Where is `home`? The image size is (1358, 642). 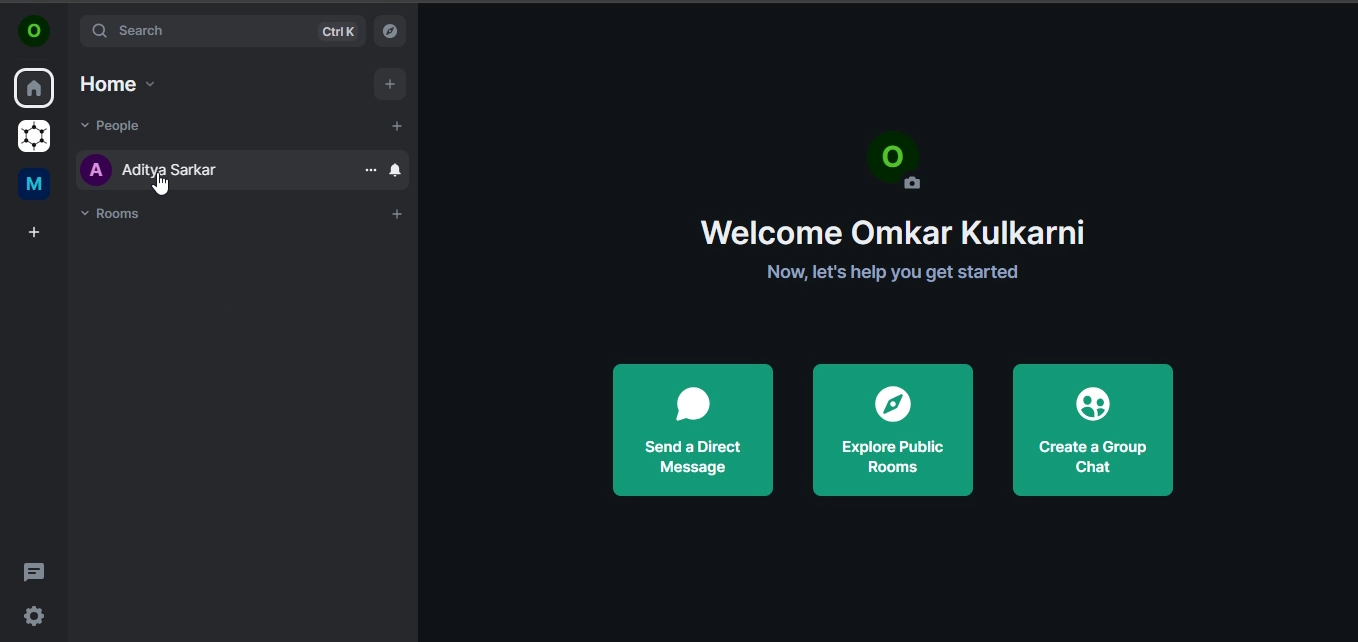 home is located at coordinates (35, 90).